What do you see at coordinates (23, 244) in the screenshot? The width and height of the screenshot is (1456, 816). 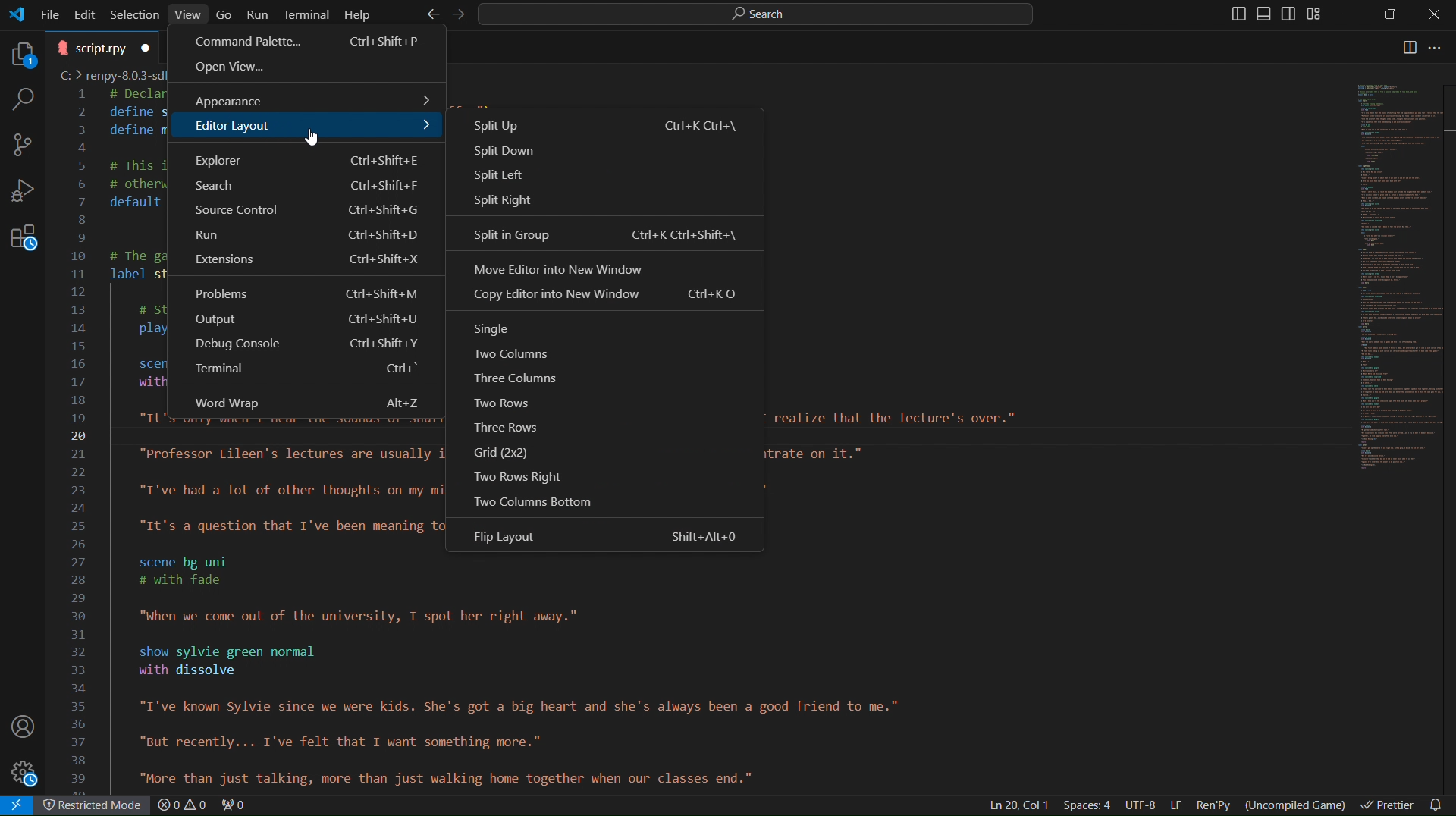 I see `Extensions` at bounding box center [23, 244].